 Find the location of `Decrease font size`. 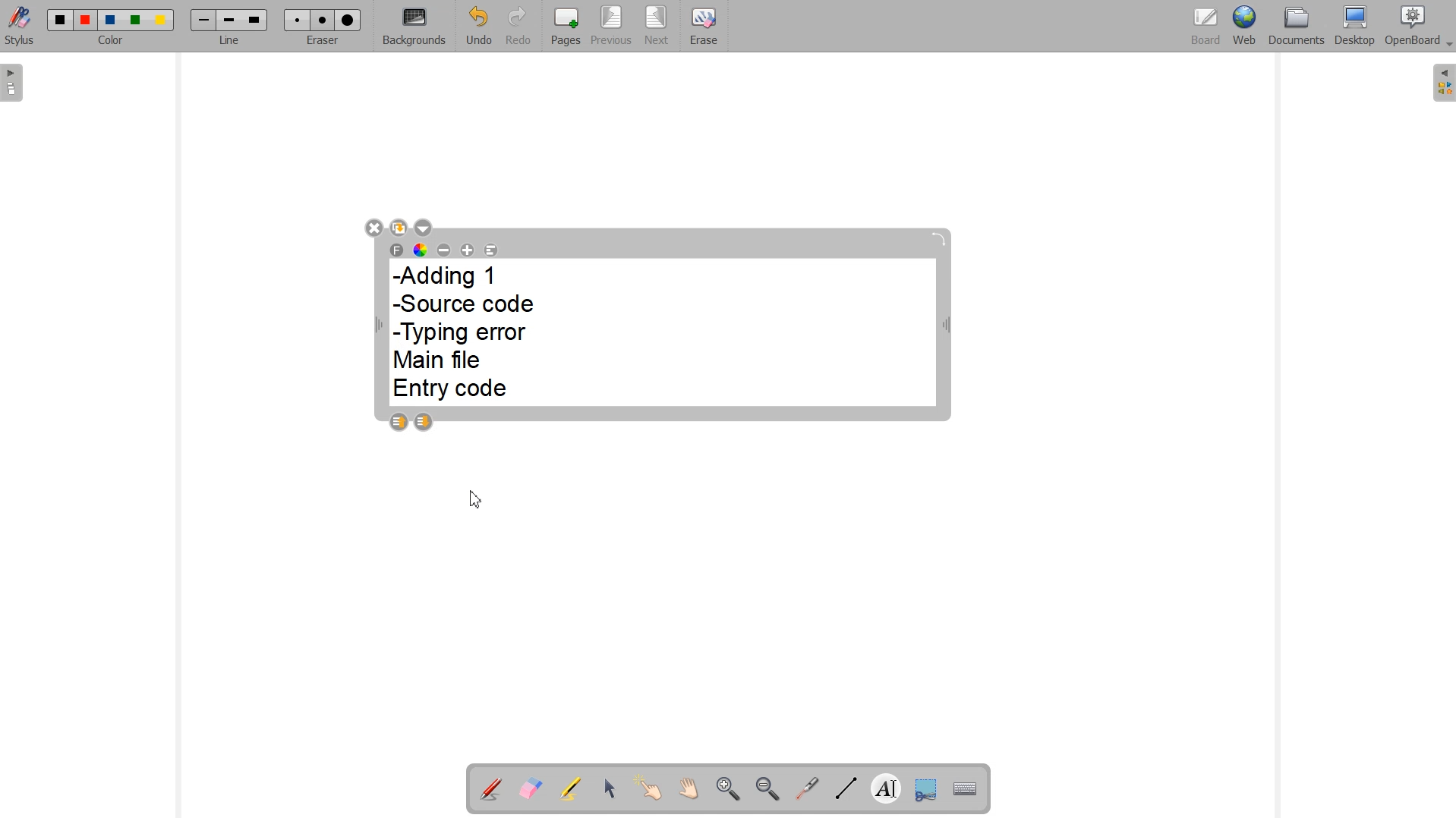

Decrease font size is located at coordinates (444, 249).